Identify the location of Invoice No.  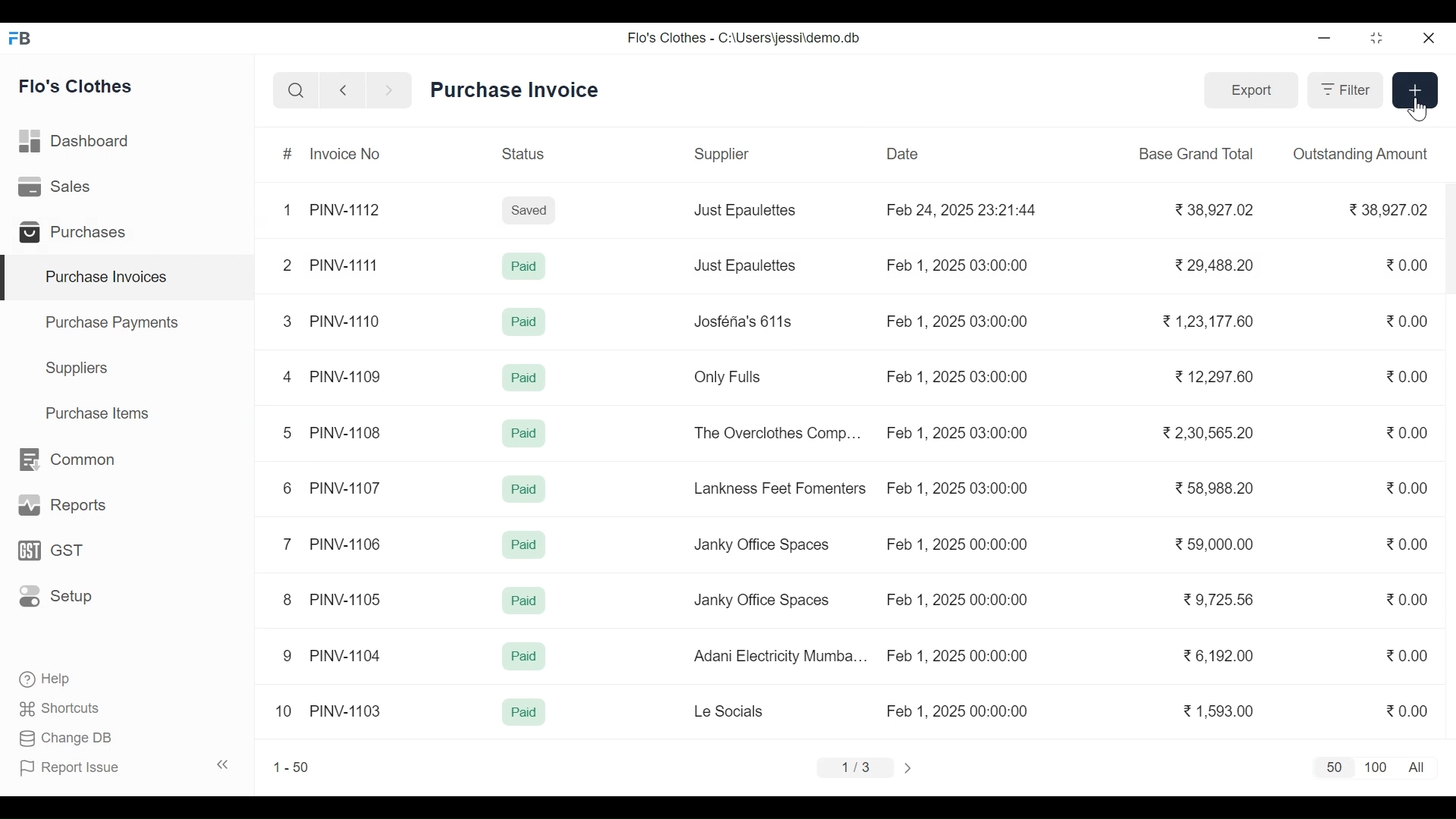
(346, 152).